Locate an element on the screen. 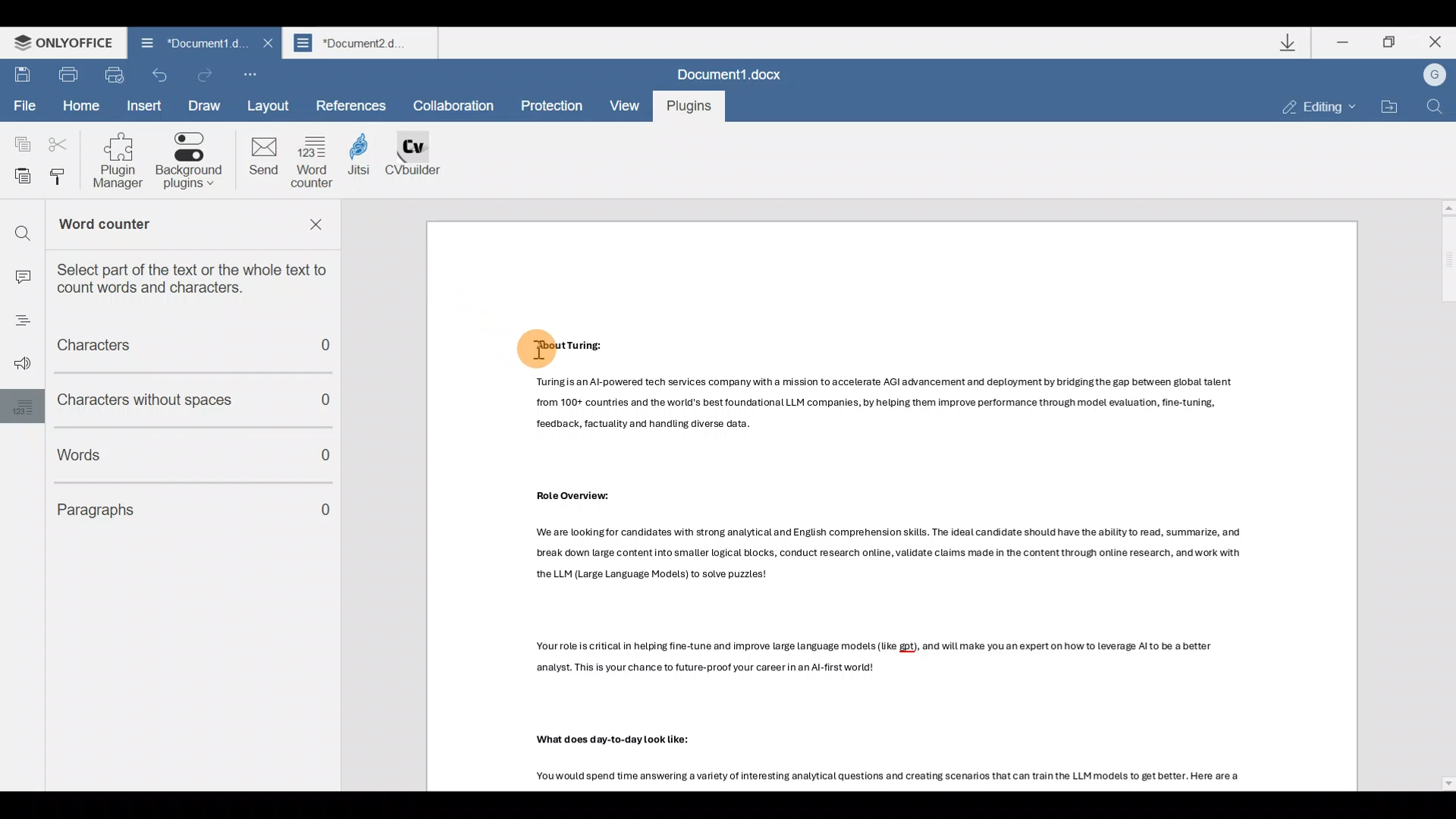  Home is located at coordinates (80, 105).